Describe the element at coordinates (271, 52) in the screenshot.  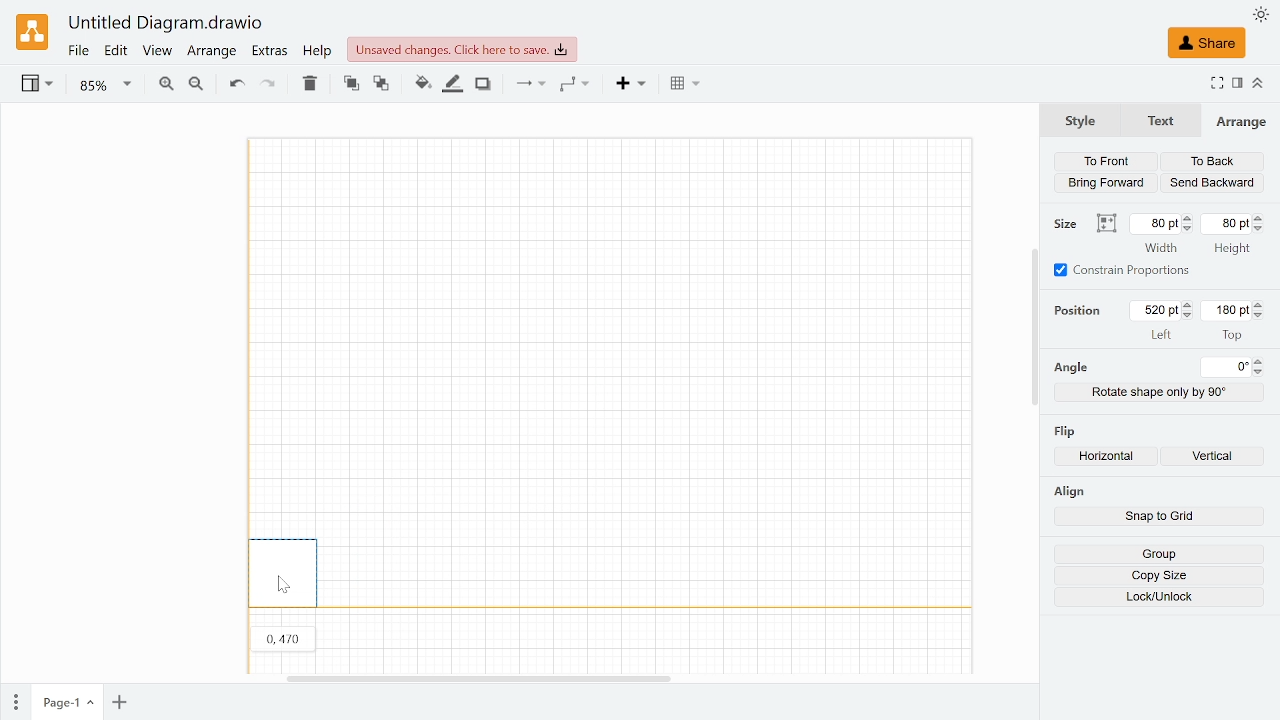
I see `Extras` at that location.